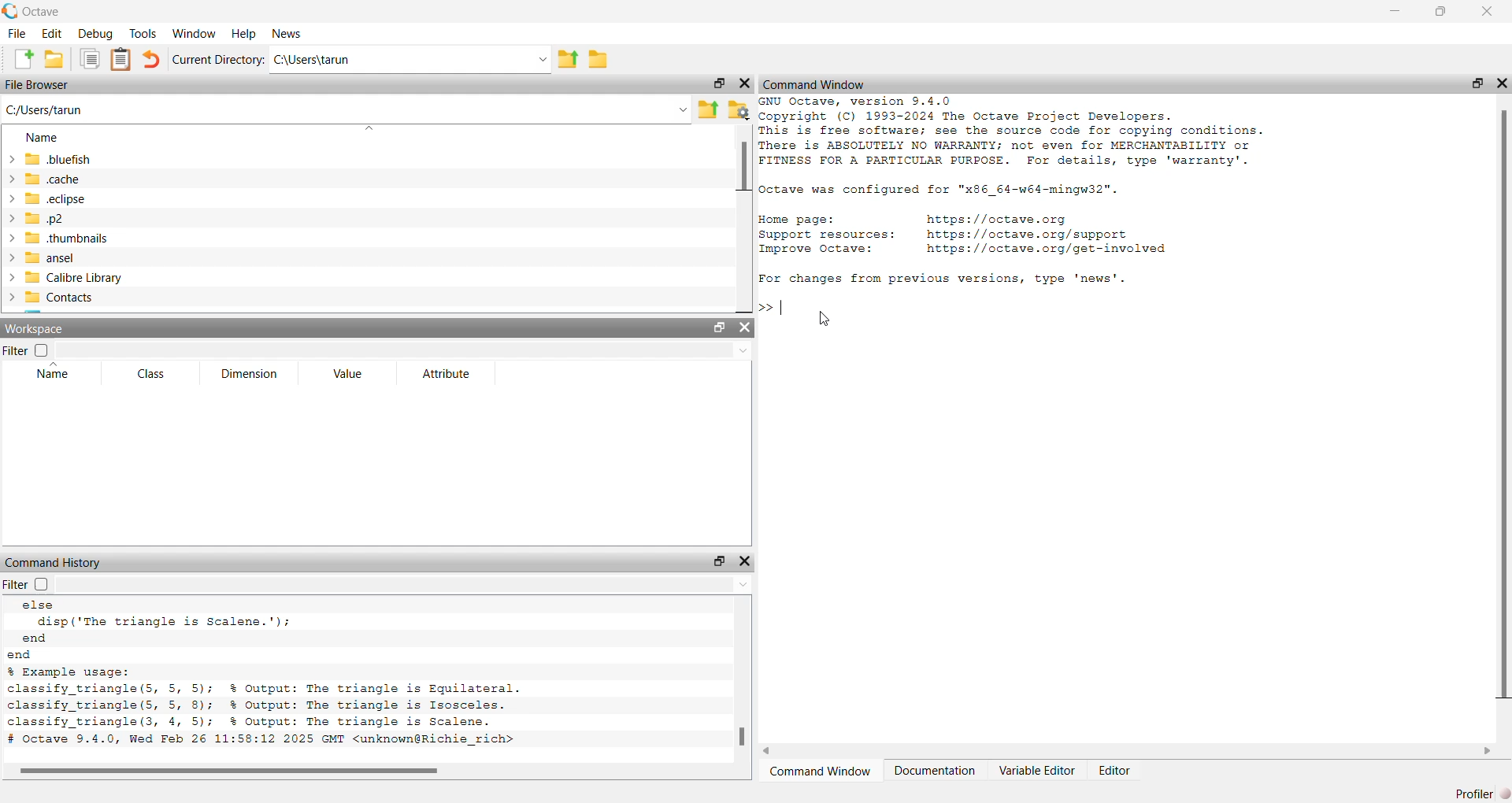  What do you see at coordinates (57, 198) in the screenshot?
I see `.eclipse` at bounding box center [57, 198].